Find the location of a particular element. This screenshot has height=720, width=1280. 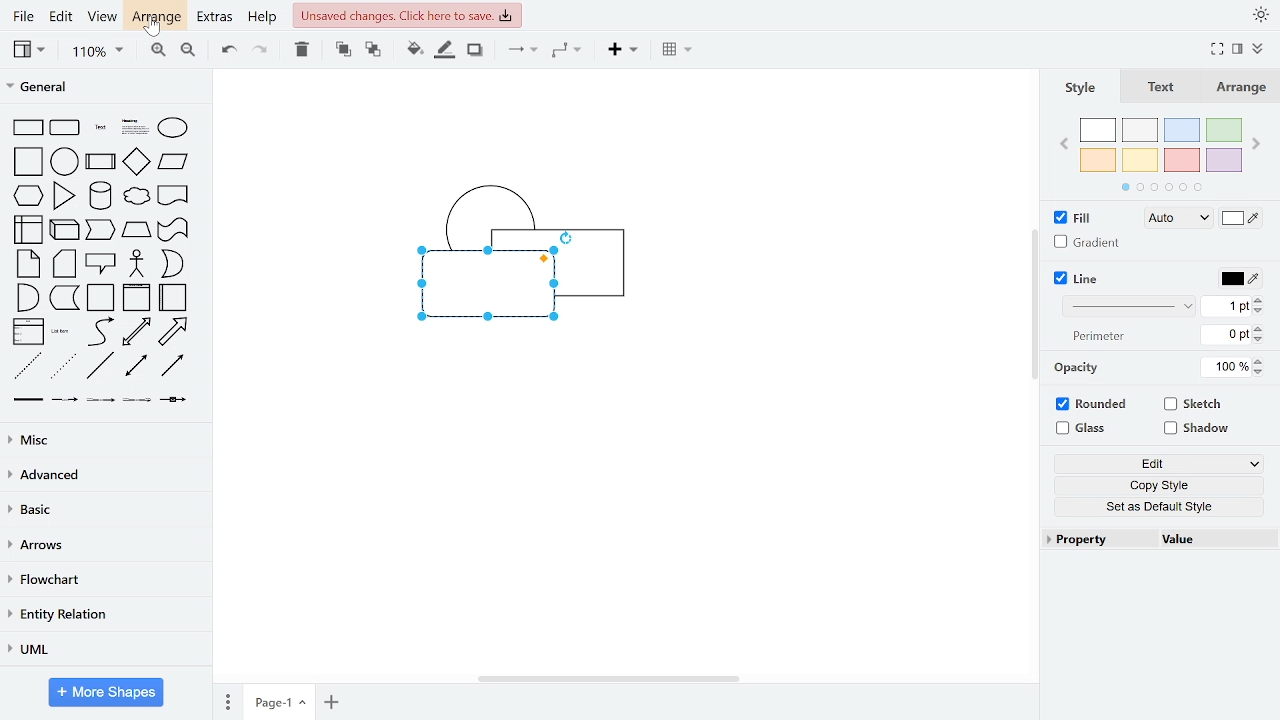

connector with label is located at coordinates (66, 399).